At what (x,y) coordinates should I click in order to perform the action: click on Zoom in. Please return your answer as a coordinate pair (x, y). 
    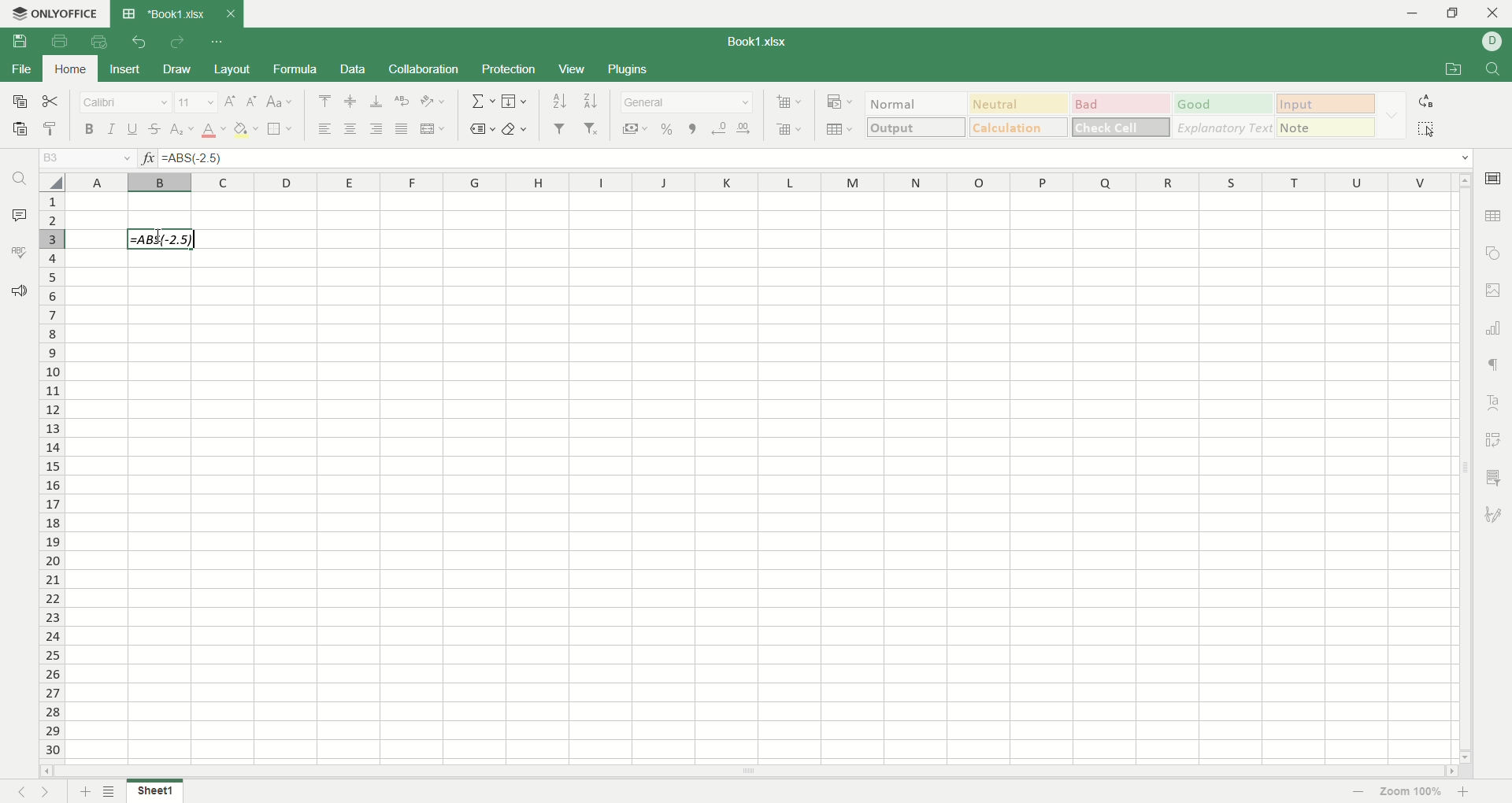
    Looking at the image, I should click on (1462, 792).